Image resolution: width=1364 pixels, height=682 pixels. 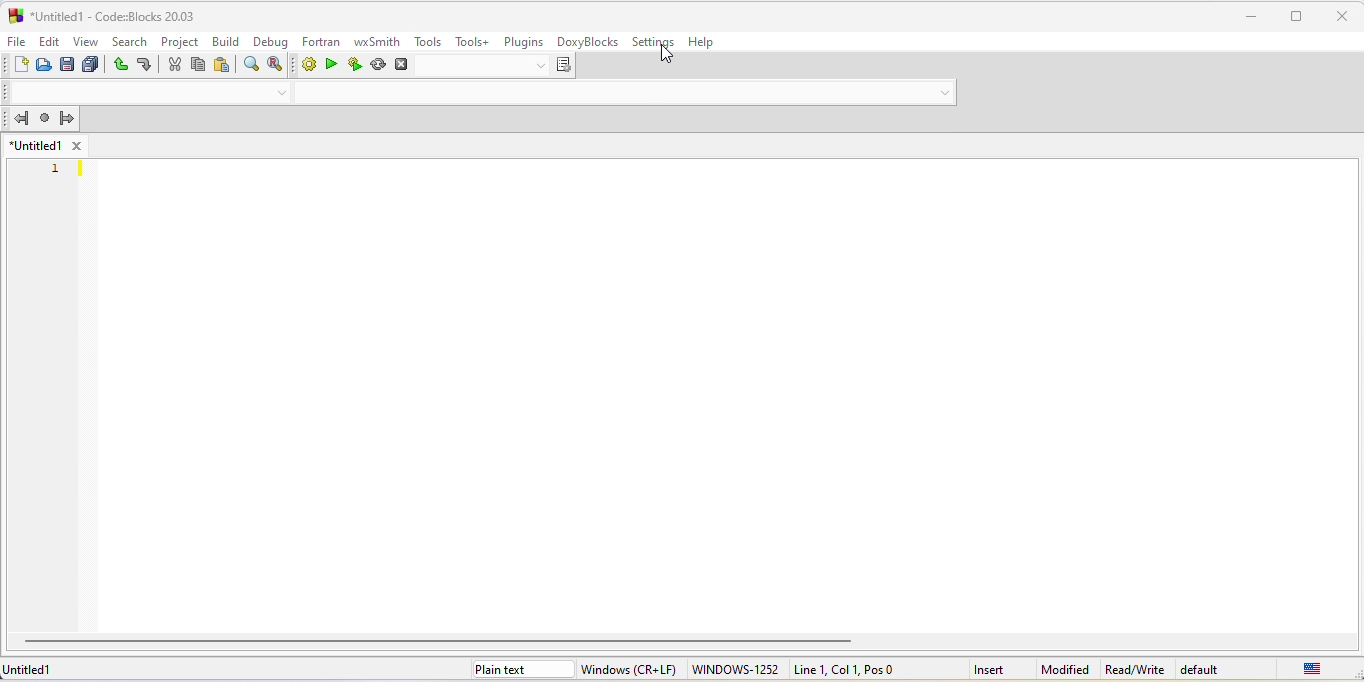 I want to click on cut, so click(x=174, y=64).